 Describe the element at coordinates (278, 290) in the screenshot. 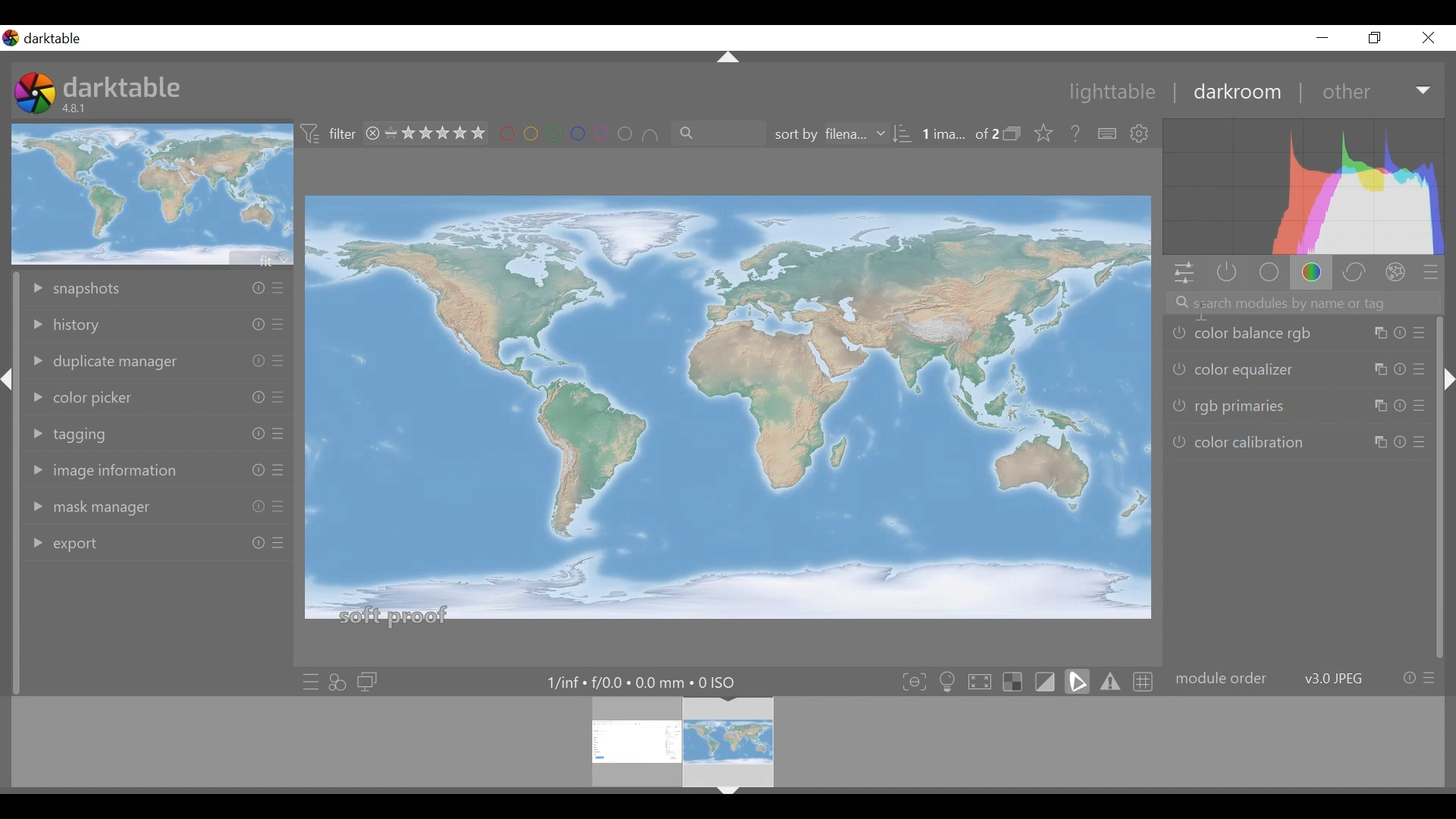

I see `` at that location.